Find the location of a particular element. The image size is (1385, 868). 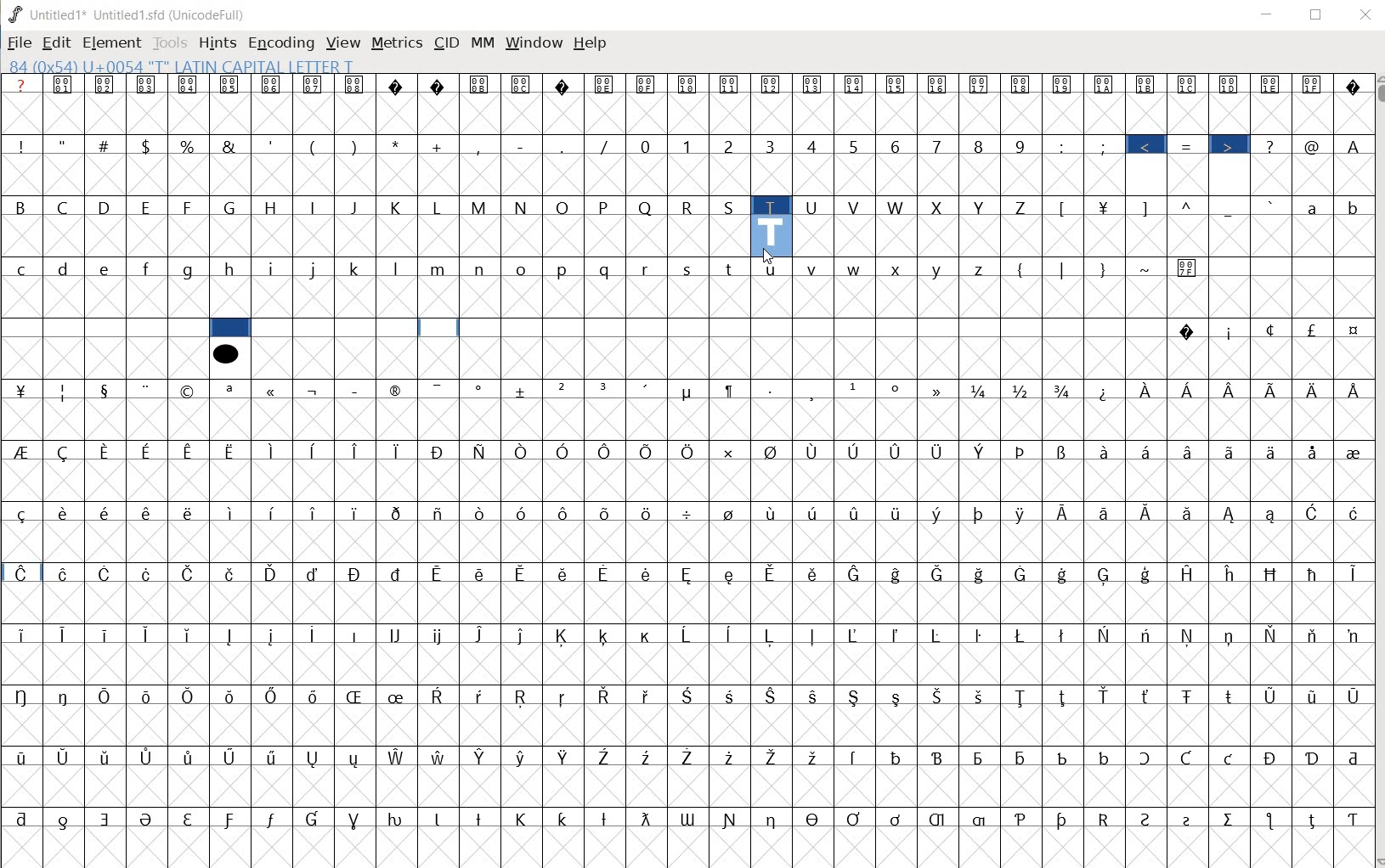

m is located at coordinates (440, 268).